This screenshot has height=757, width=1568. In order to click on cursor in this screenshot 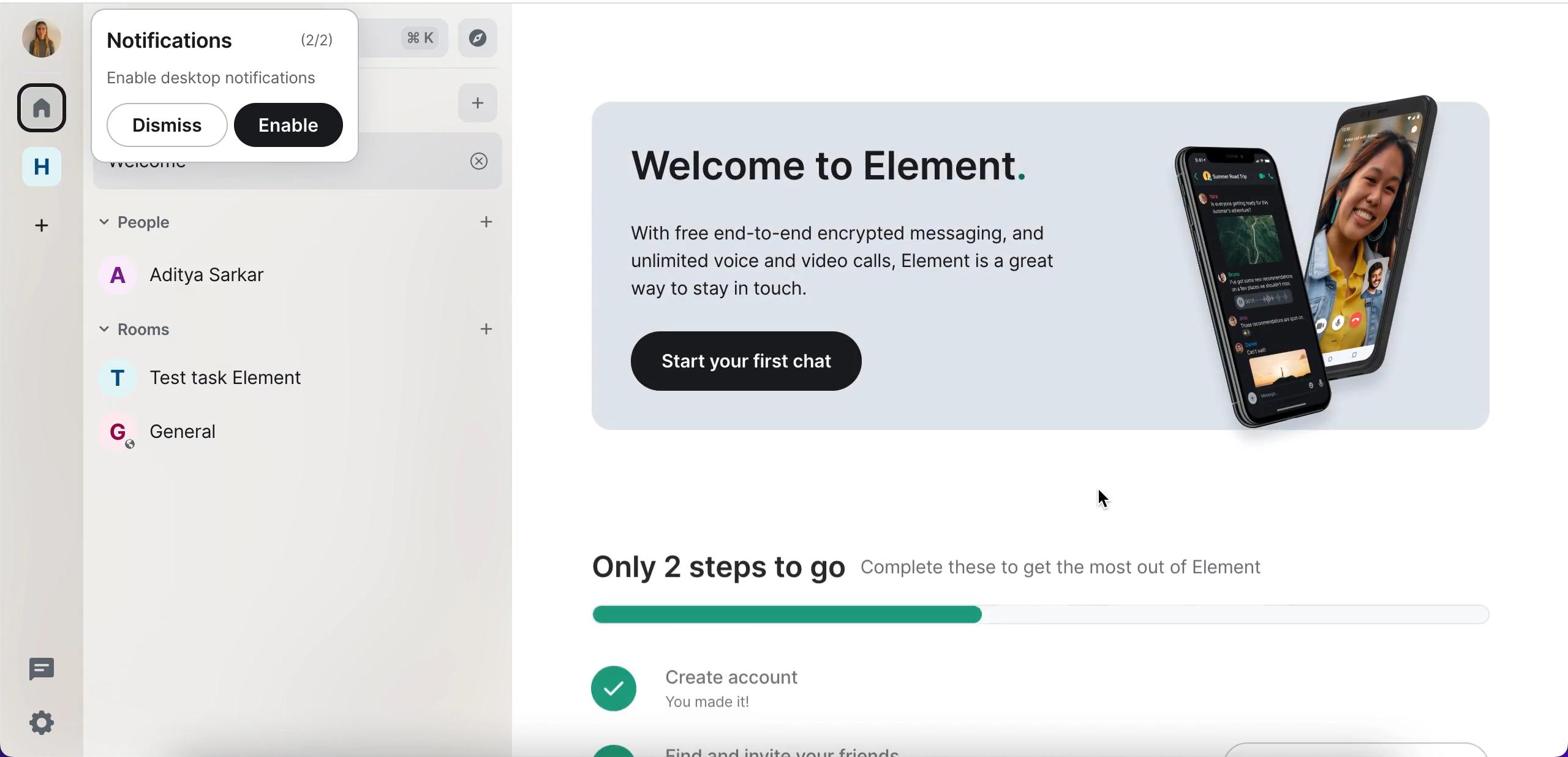, I will do `click(1107, 499)`.